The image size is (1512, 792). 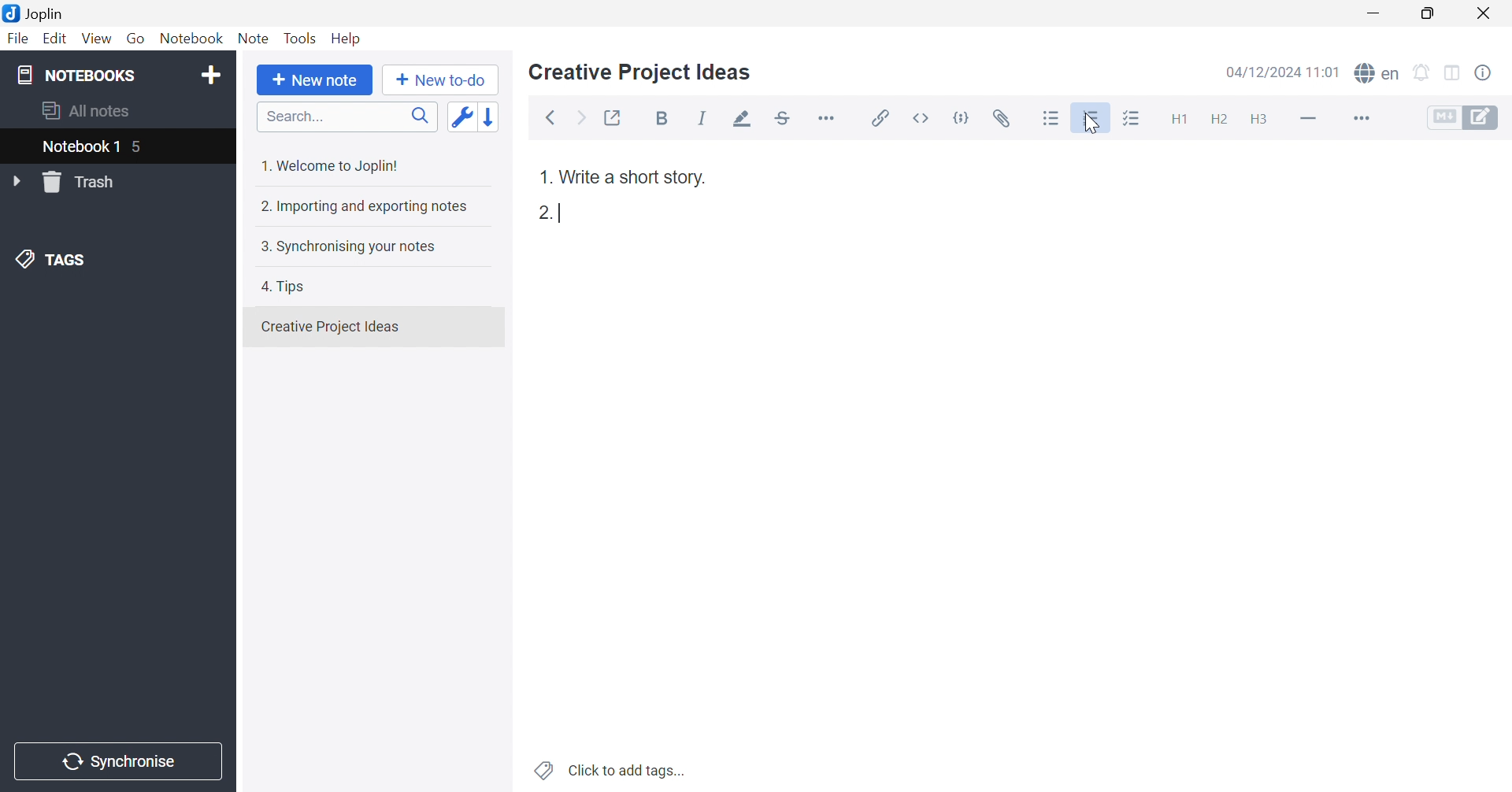 I want to click on Toggle sort order field, so click(x=462, y=117).